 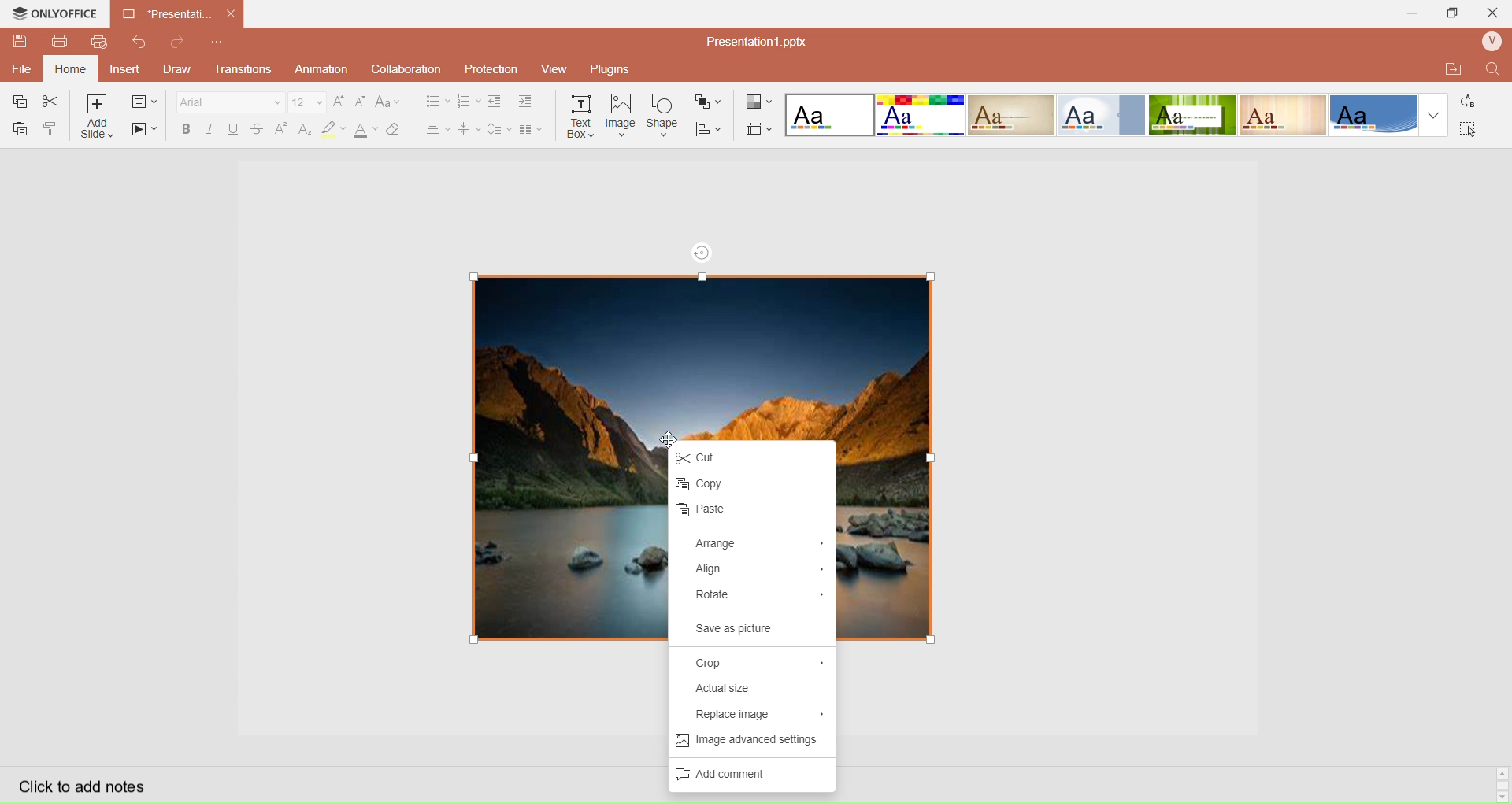 I want to click on Underline, so click(x=233, y=130).